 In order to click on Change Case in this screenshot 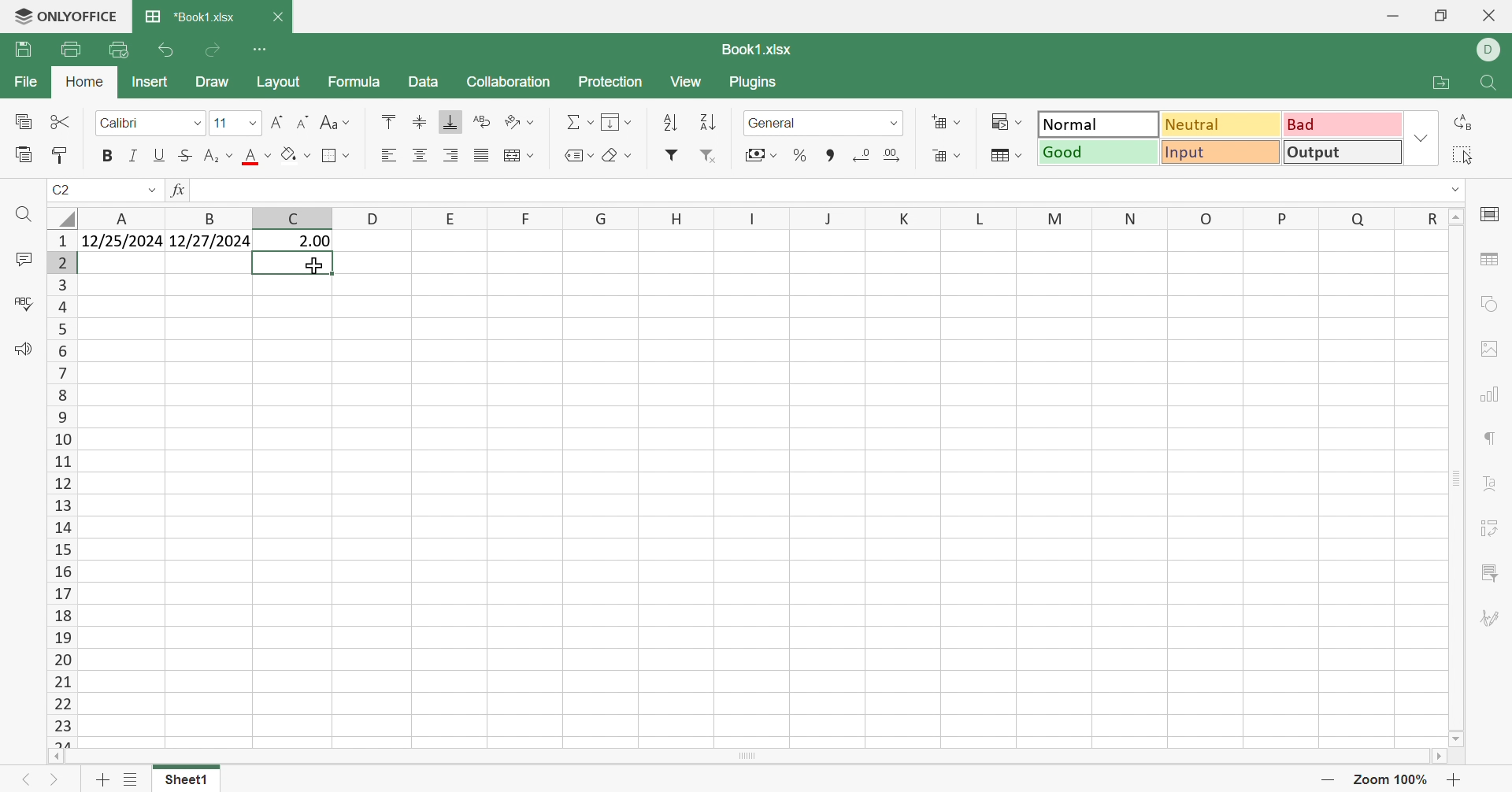, I will do `click(336, 124)`.